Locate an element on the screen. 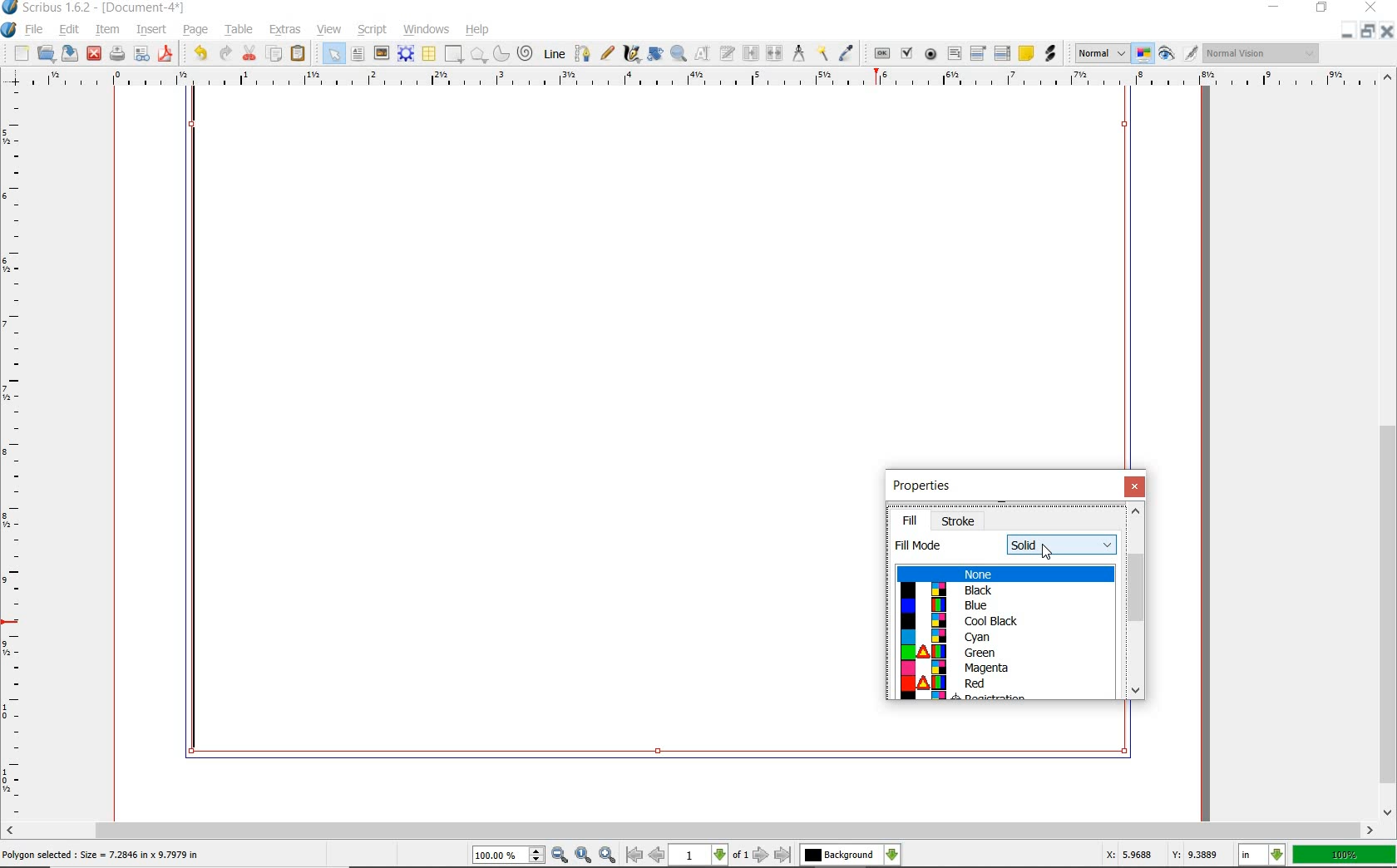  file is located at coordinates (36, 31).